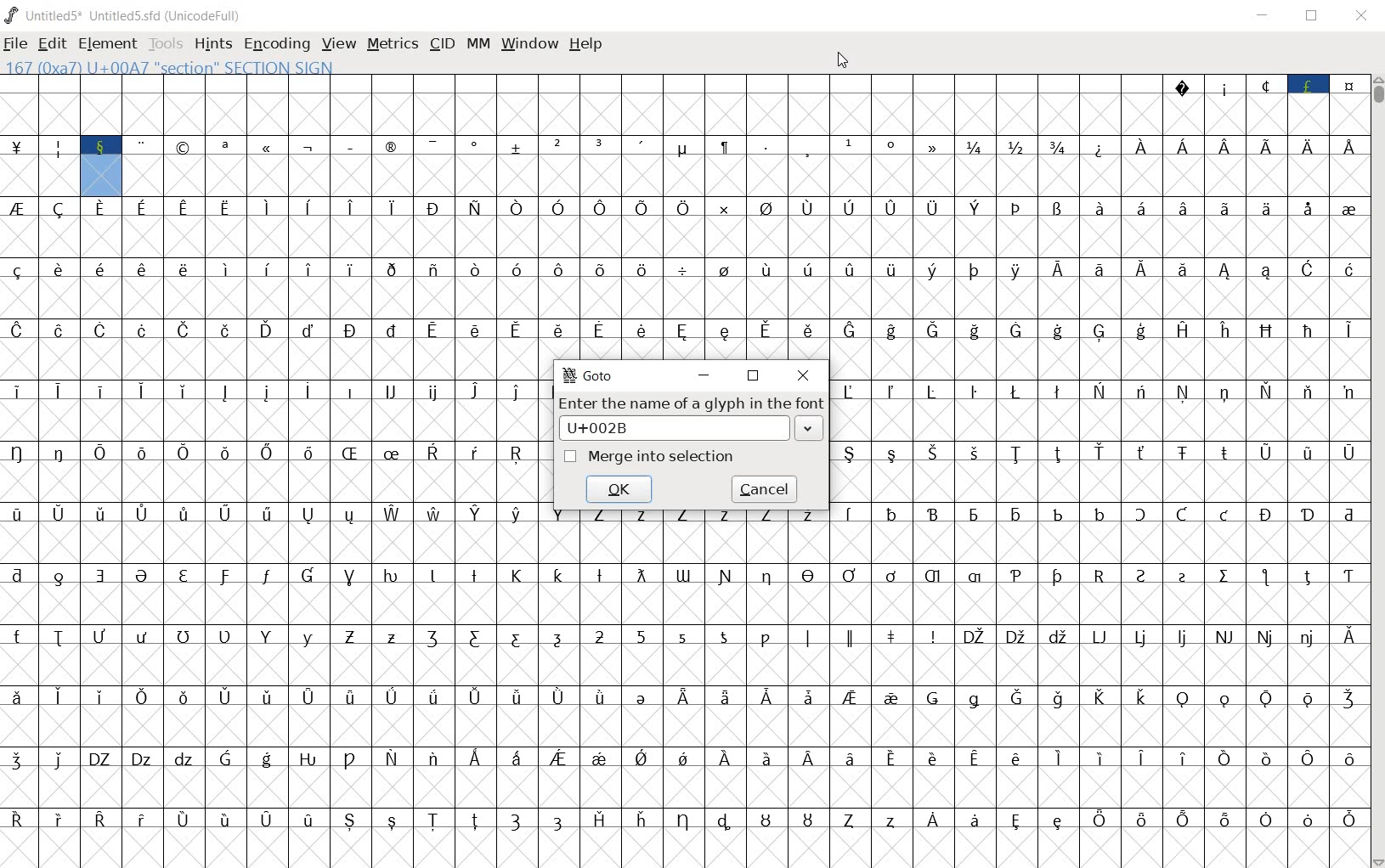 This screenshot has width=1385, height=868. What do you see at coordinates (1096, 349) in the screenshot?
I see `special alphabets` at bounding box center [1096, 349].